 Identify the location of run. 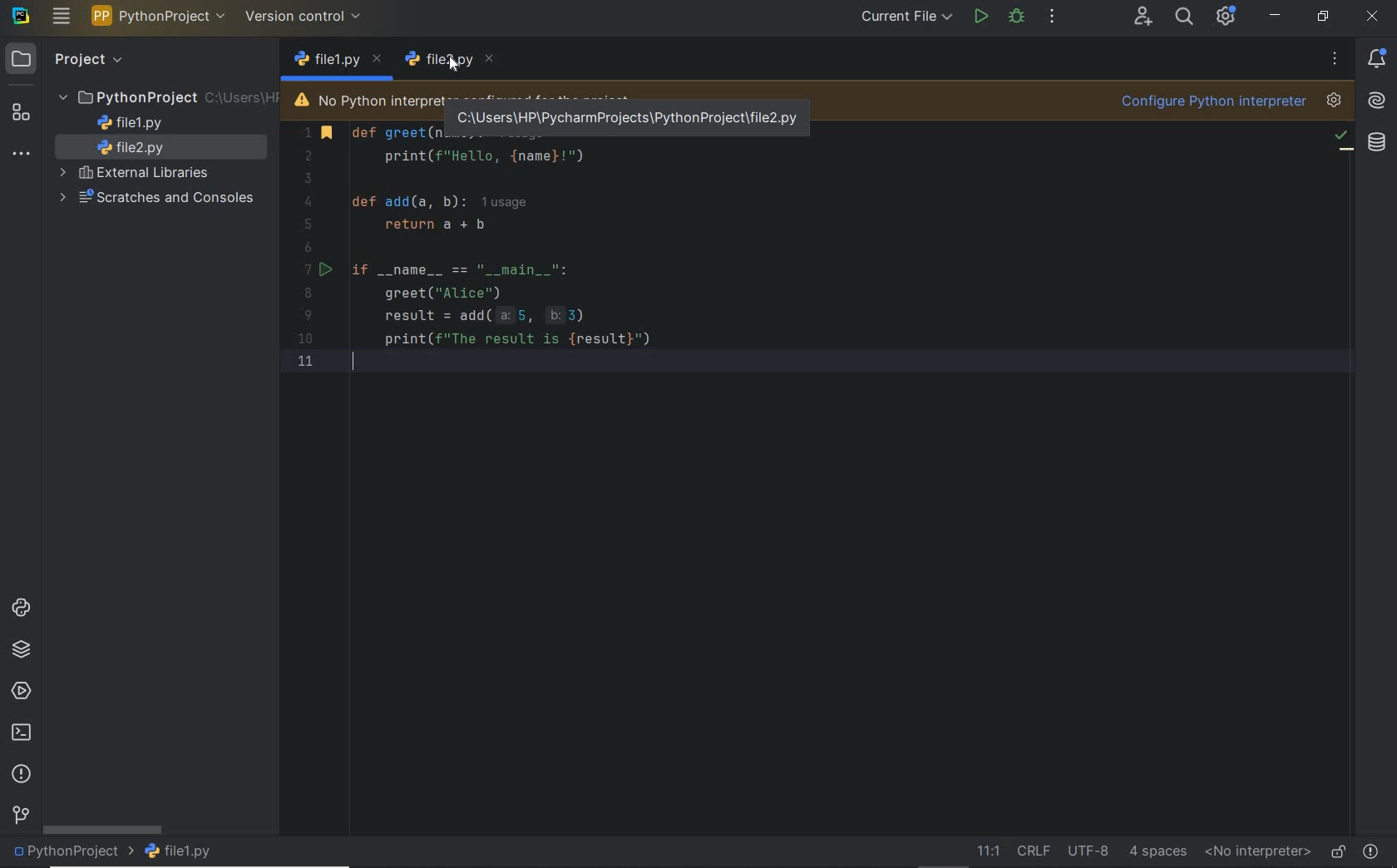
(329, 269).